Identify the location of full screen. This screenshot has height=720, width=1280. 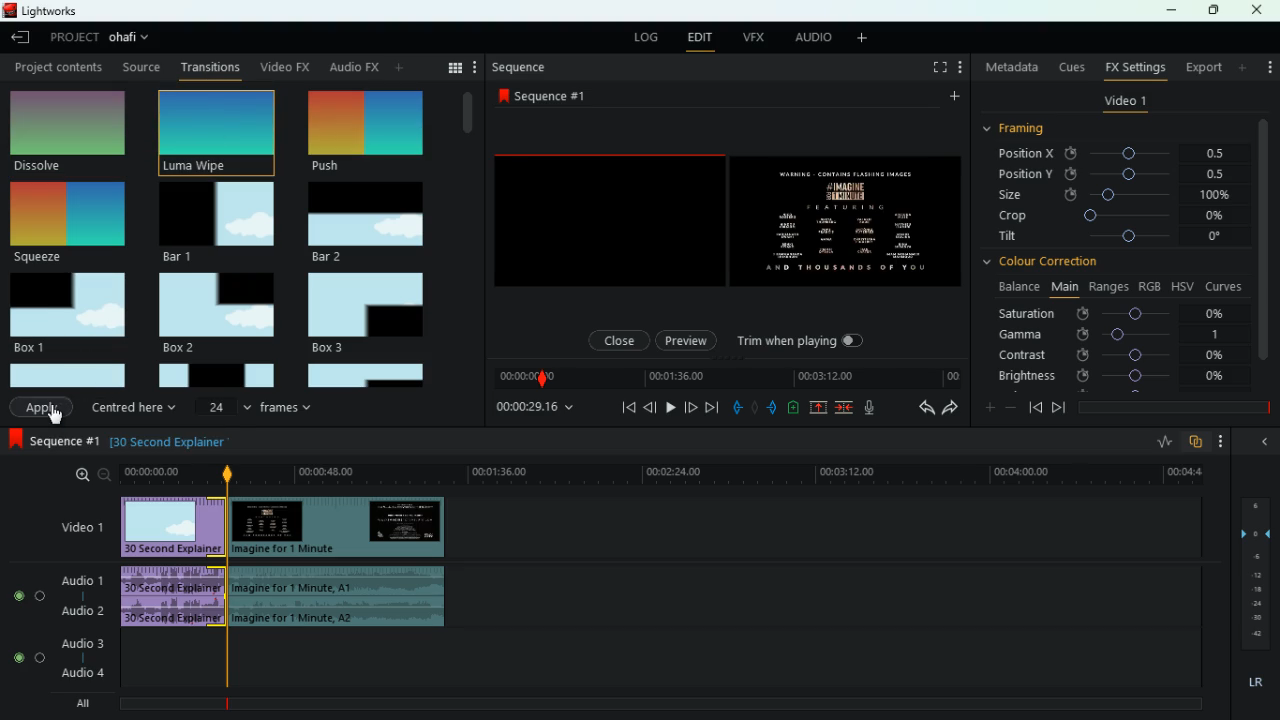
(940, 69).